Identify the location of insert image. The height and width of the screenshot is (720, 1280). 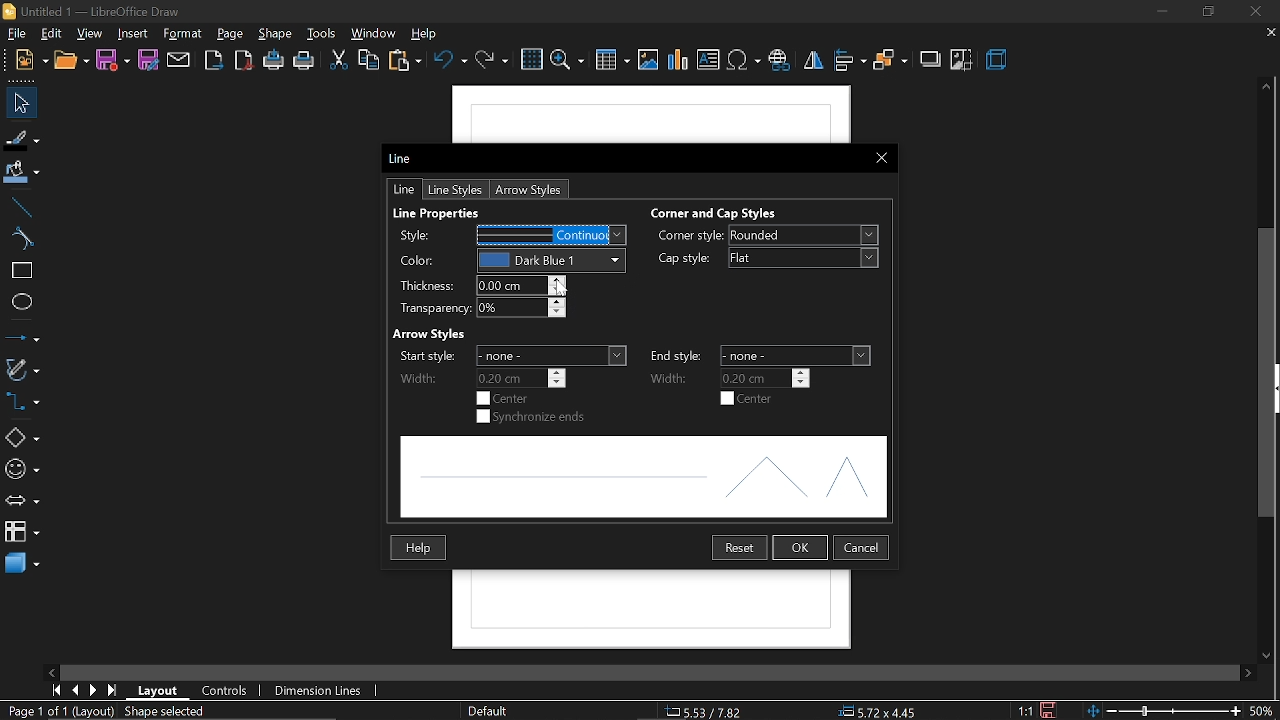
(649, 61).